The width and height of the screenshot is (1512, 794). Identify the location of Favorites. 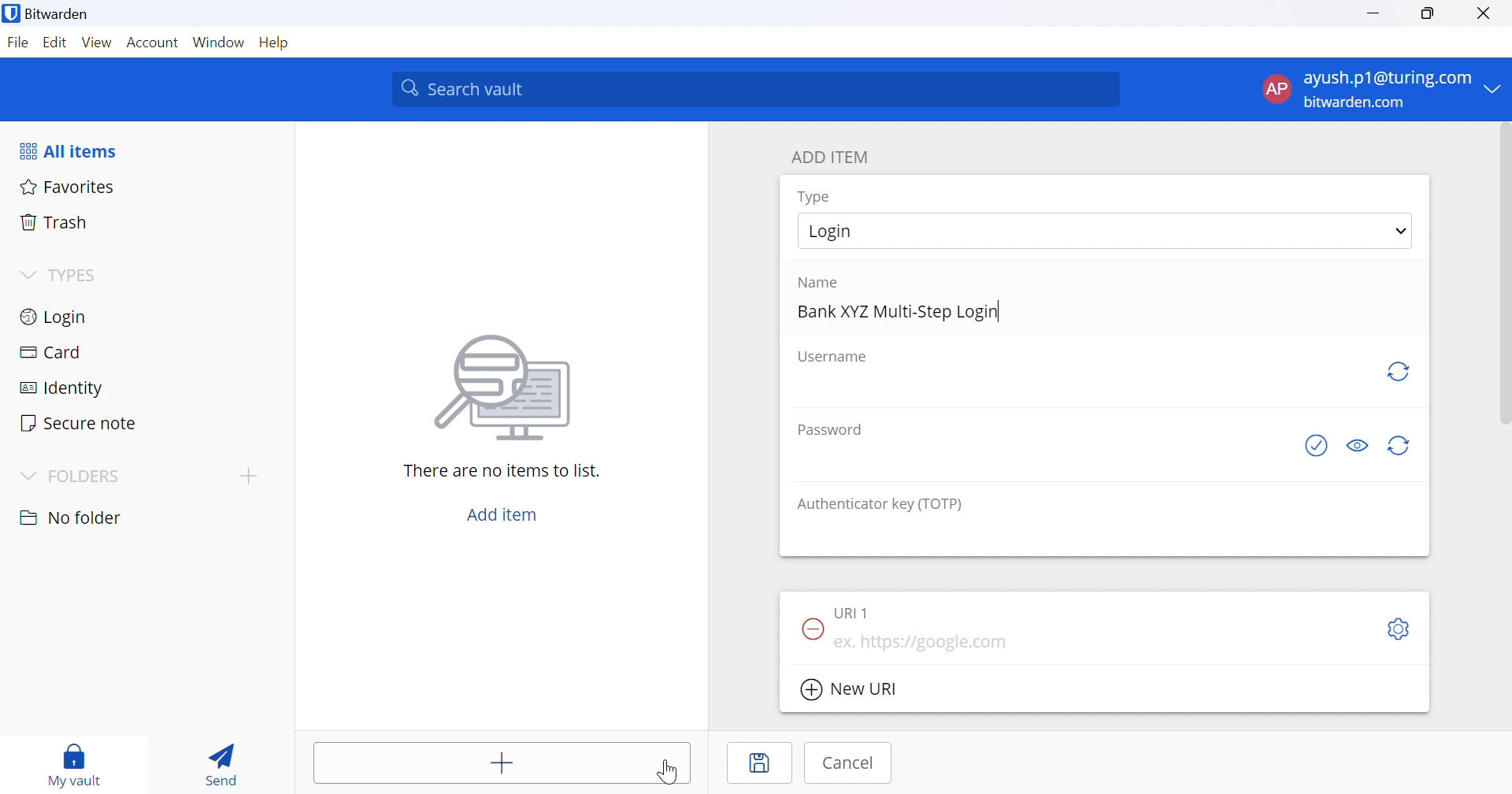
(68, 186).